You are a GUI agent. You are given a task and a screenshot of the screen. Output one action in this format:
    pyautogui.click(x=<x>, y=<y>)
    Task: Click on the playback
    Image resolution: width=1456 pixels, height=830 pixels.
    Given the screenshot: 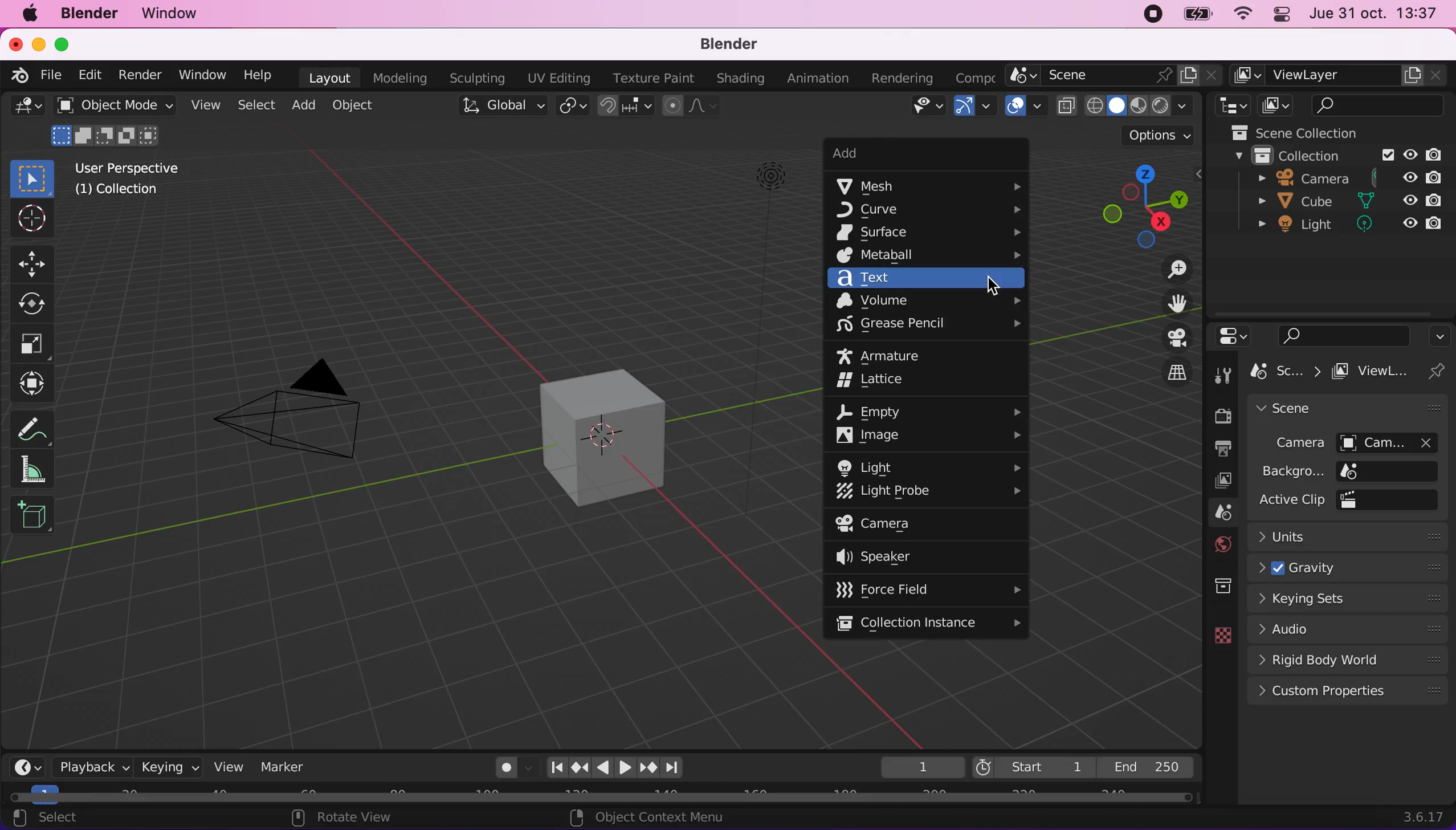 What is the action you would take?
    pyautogui.click(x=91, y=767)
    